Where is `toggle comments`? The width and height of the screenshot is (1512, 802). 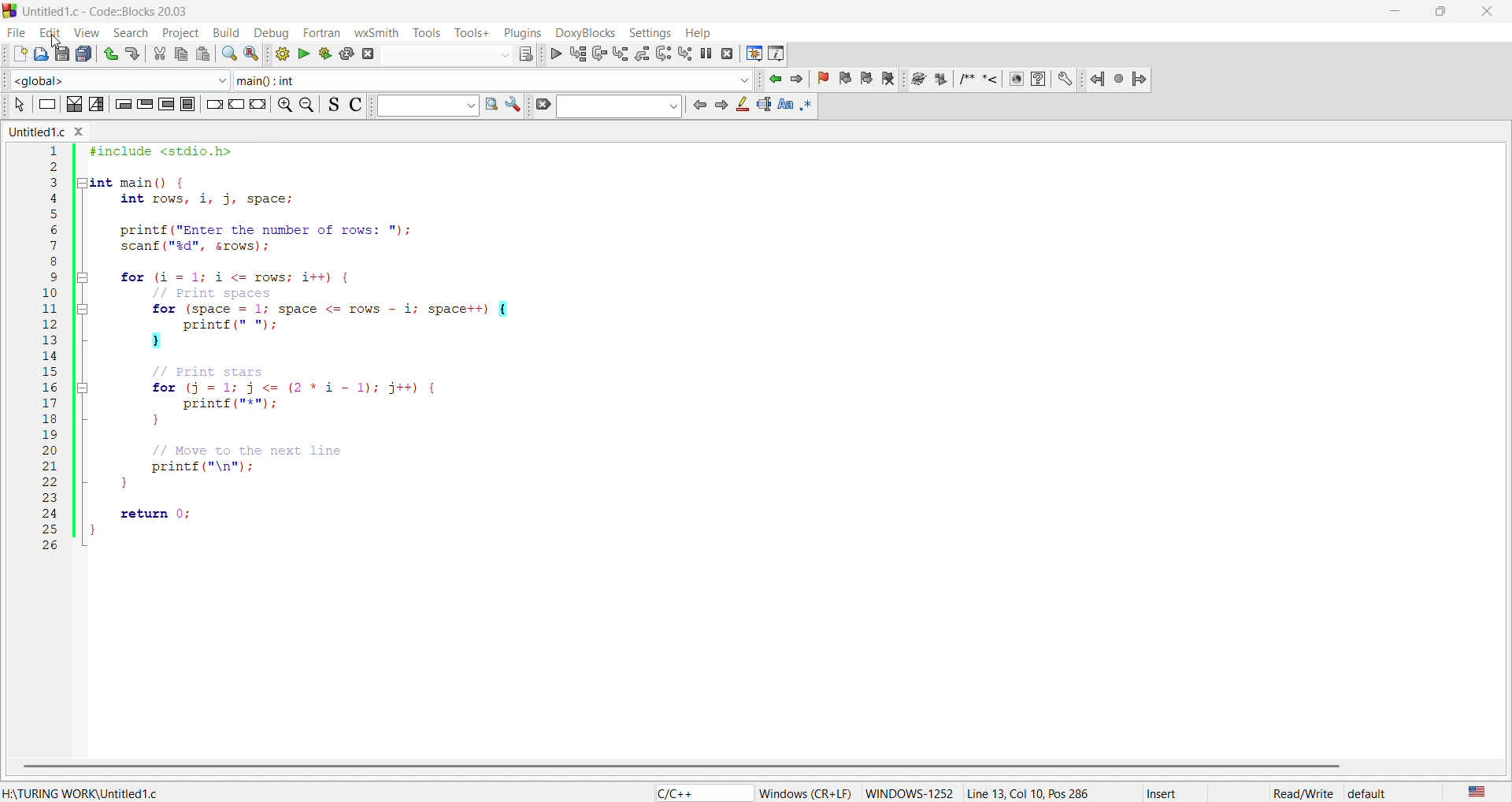
toggle comments is located at coordinates (356, 105).